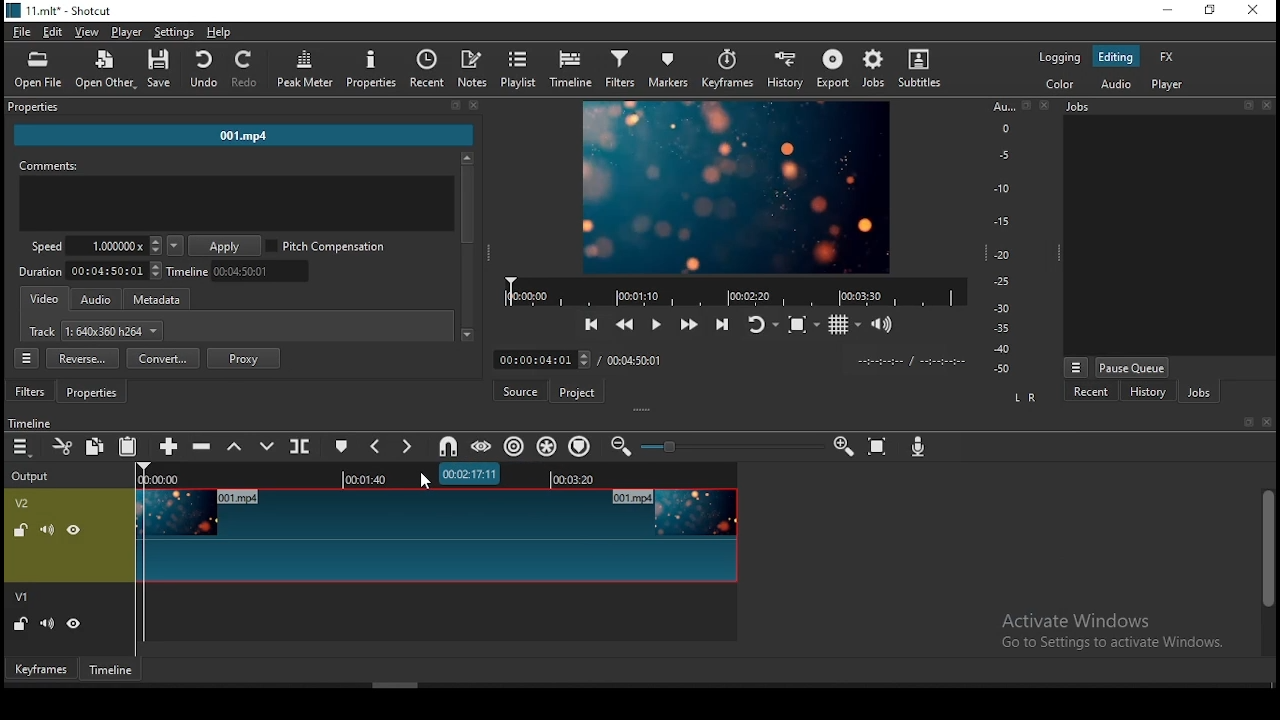  What do you see at coordinates (1266, 570) in the screenshot?
I see `scroll bar` at bounding box center [1266, 570].